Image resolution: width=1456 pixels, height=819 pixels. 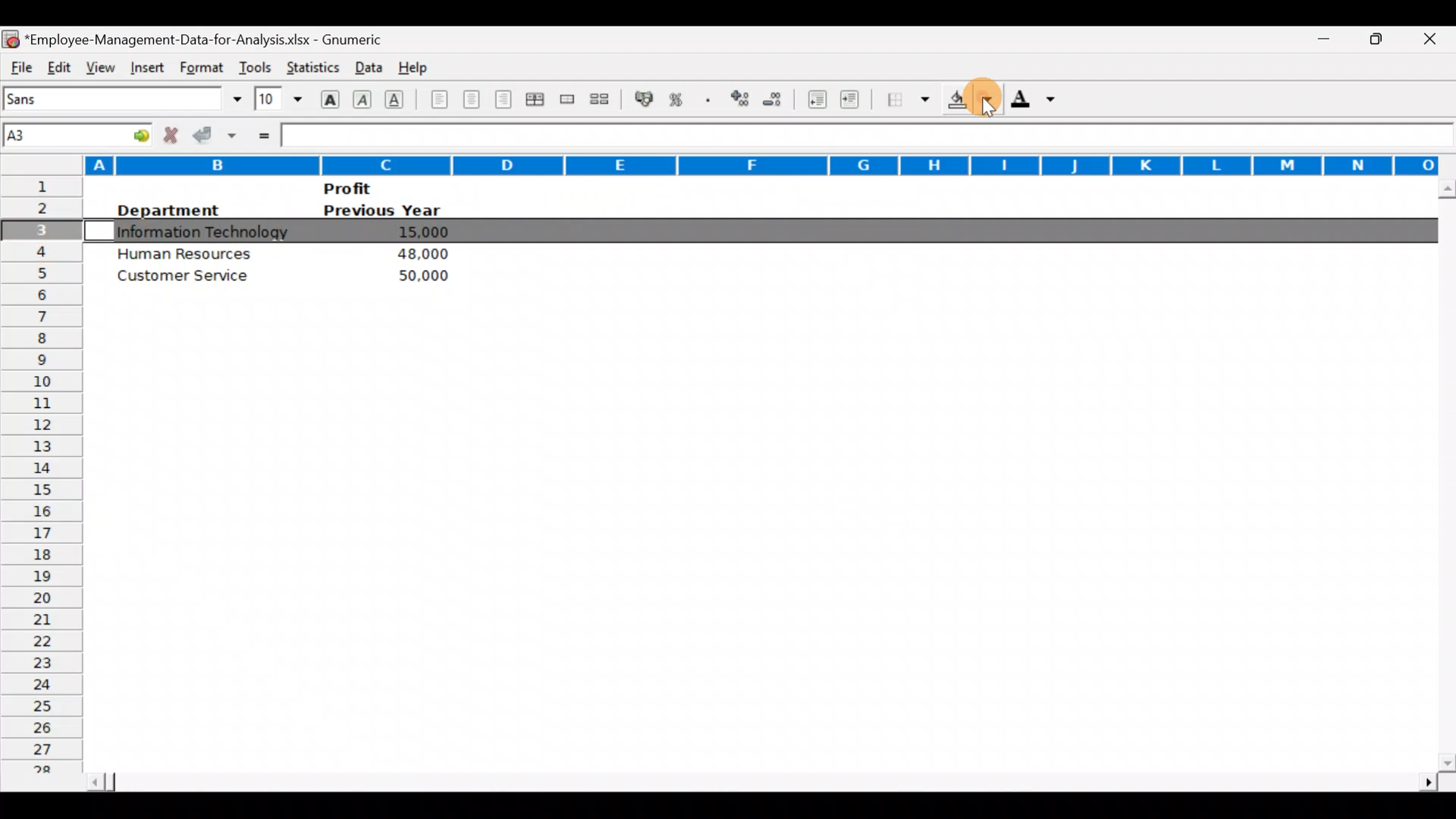 What do you see at coordinates (538, 102) in the screenshot?
I see `Centre horizontally across the selection` at bounding box center [538, 102].